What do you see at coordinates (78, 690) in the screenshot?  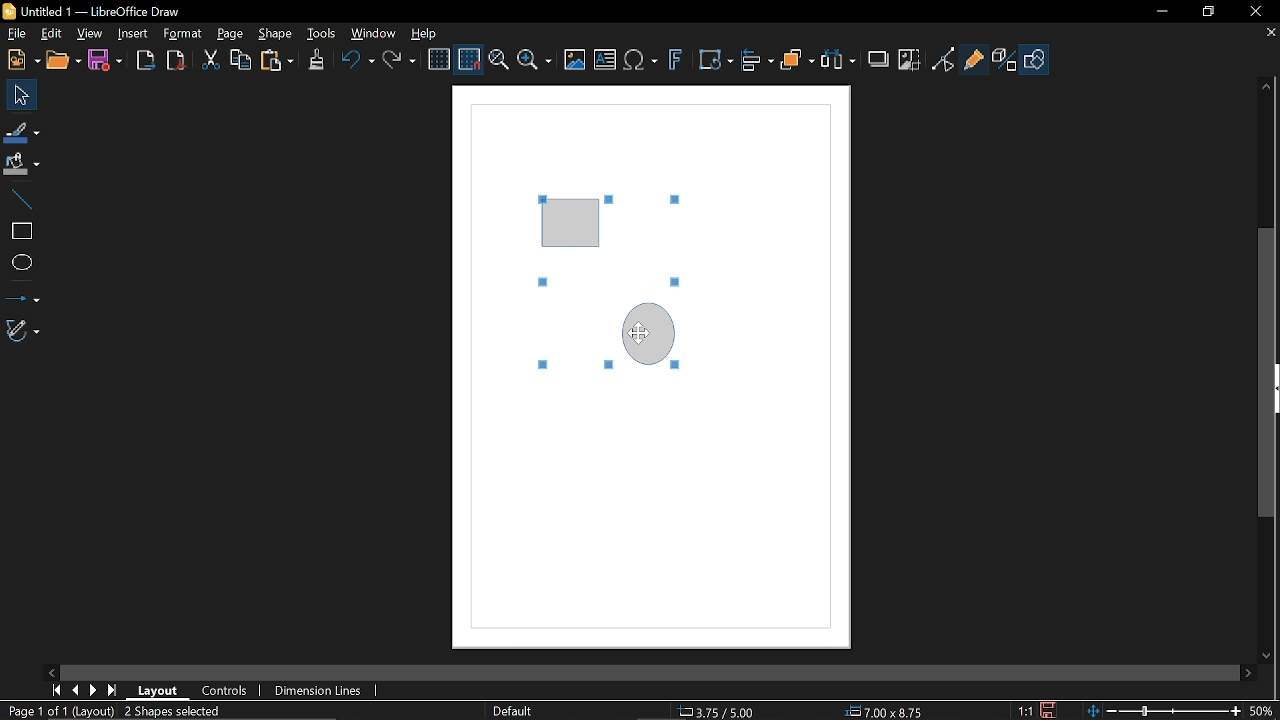 I see `Previous page` at bounding box center [78, 690].